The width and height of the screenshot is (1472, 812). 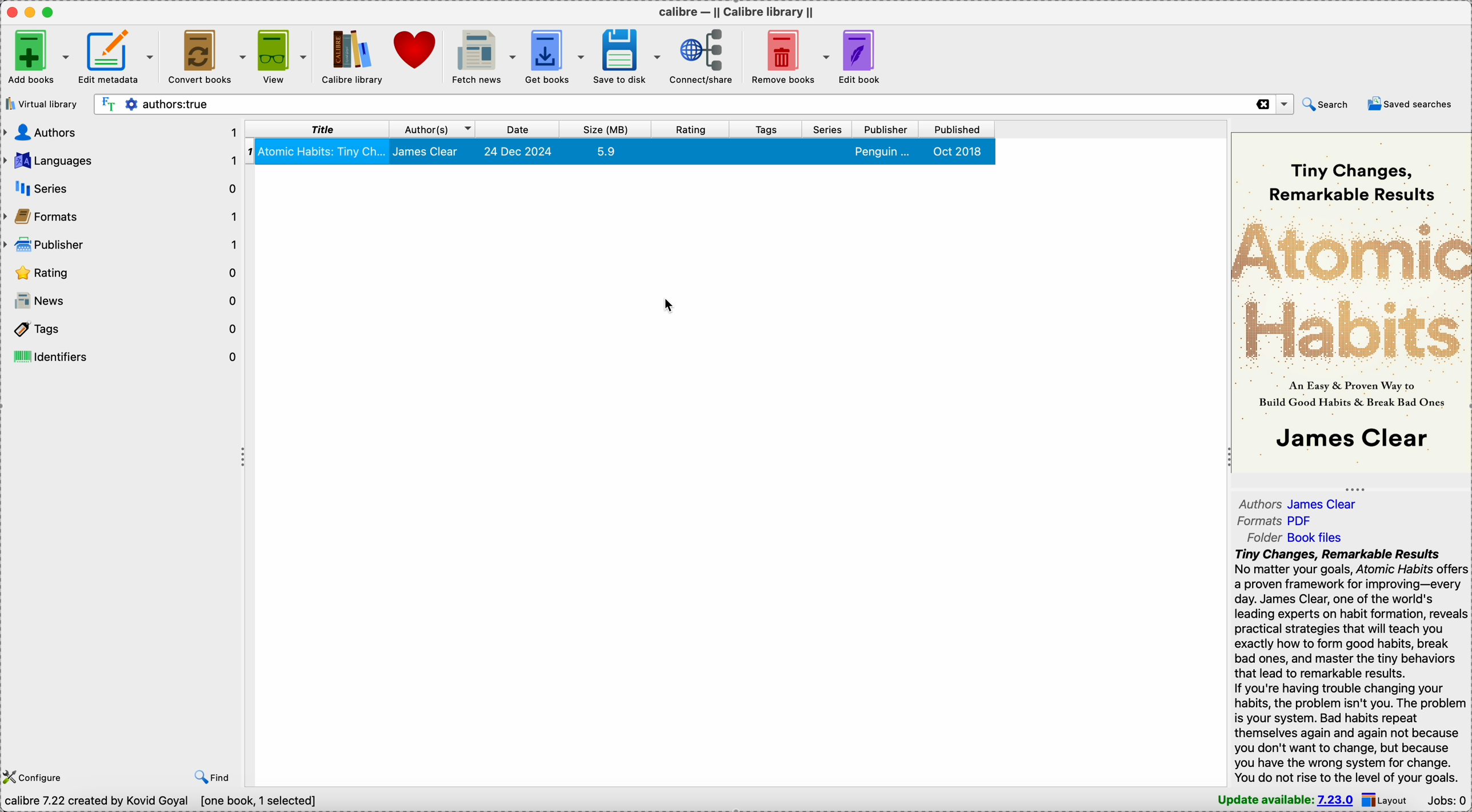 What do you see at coordinates (122, 217) in the screenshot?
I see `formats` at bounding box center [122, 217].